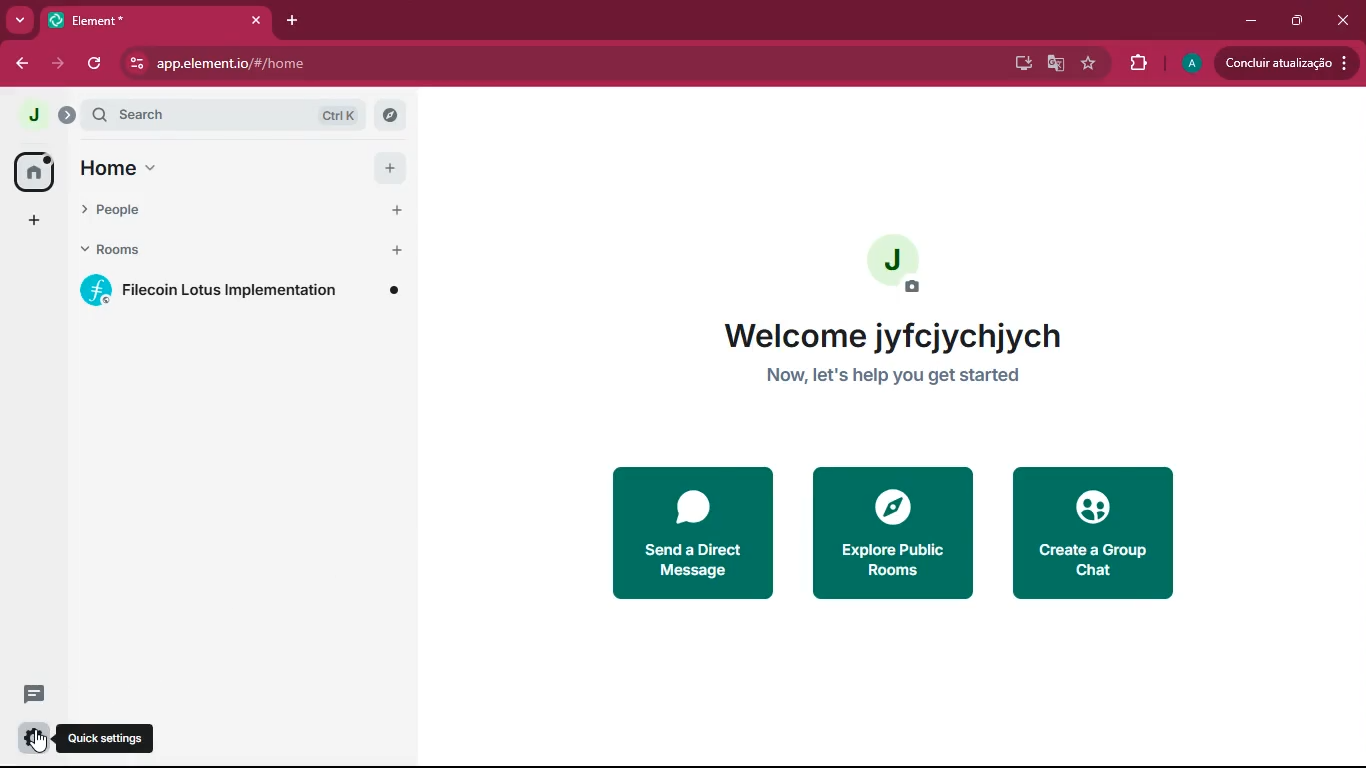 The width and height of the screenshot is (1366, 768). Describe the element at coordinates (245, 290) in the screenshot. I see `room` at that location.